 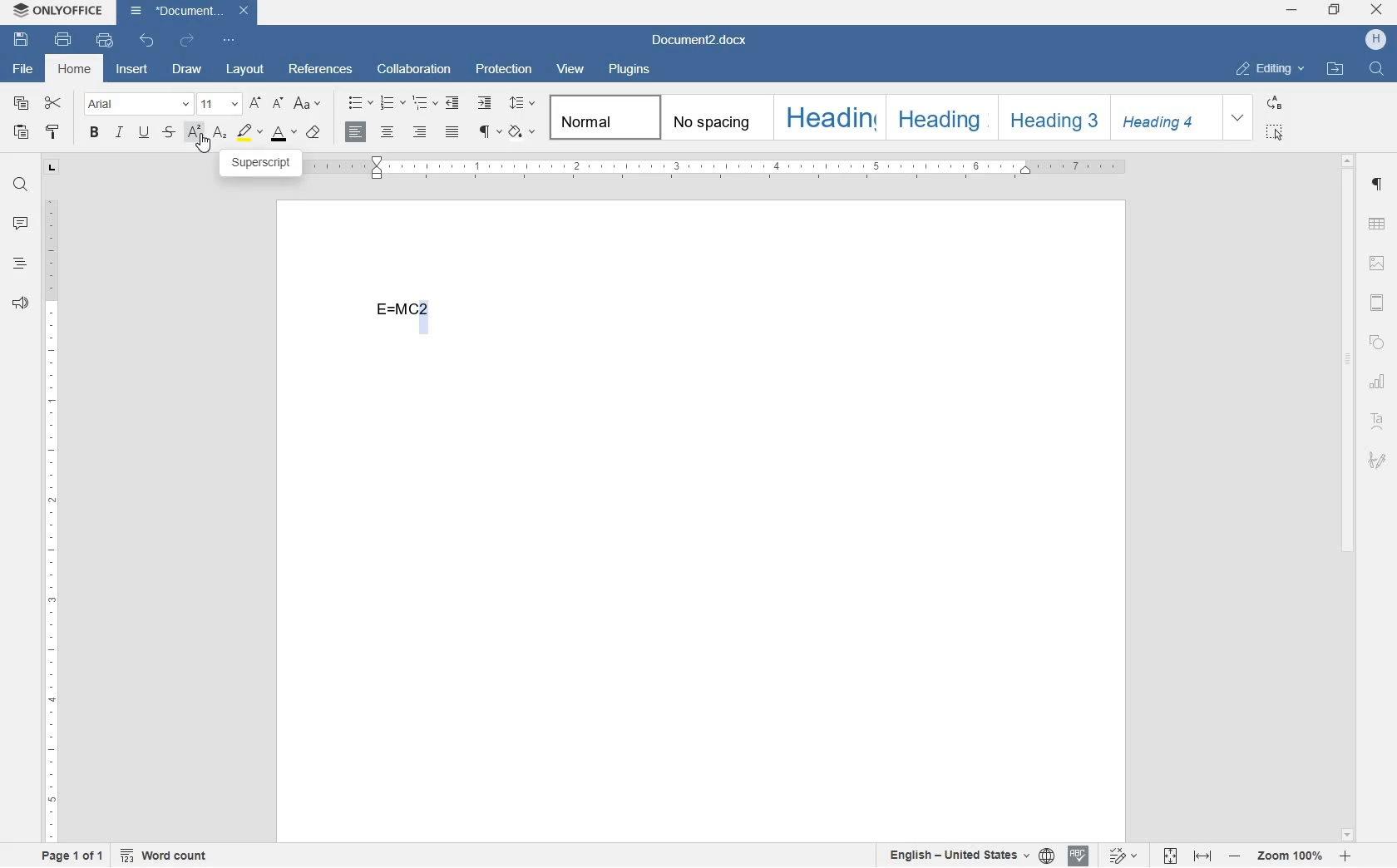 I want to click on insert , so click(x=131, y=71).